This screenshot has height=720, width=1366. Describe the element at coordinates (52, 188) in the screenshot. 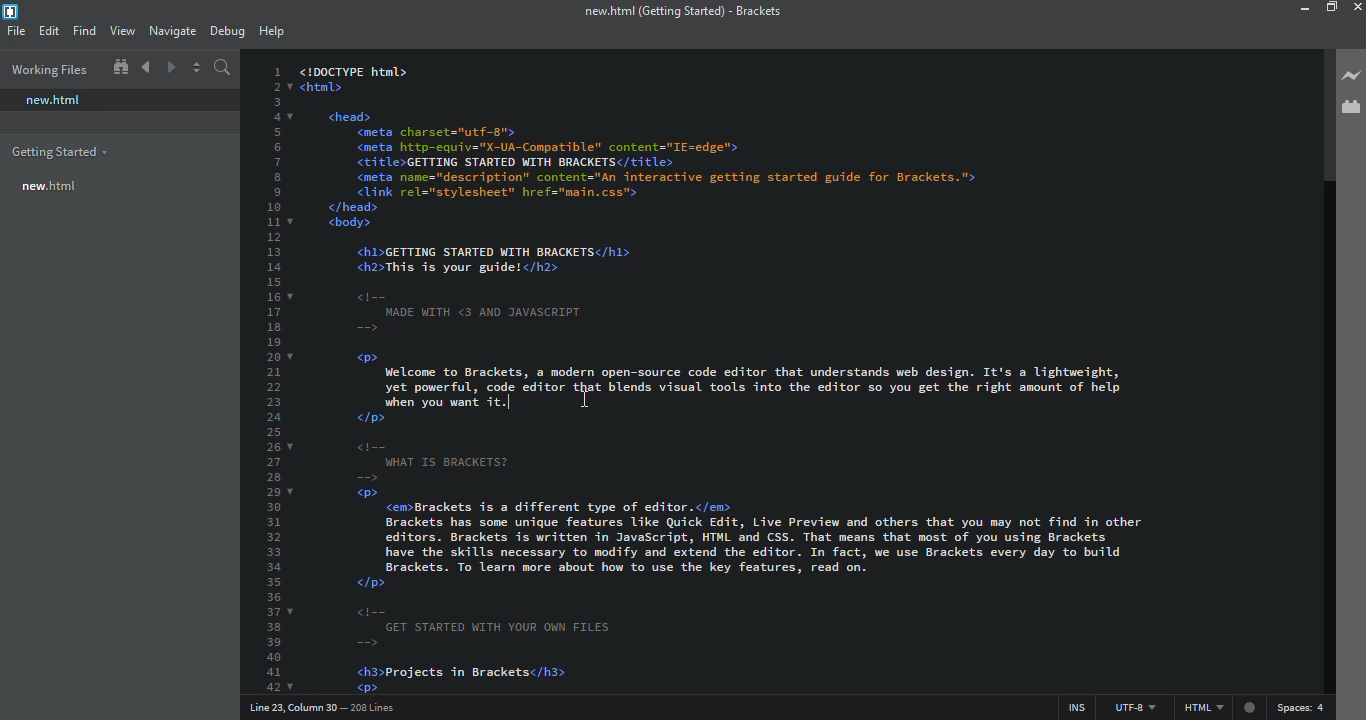

I see `new` at that location.